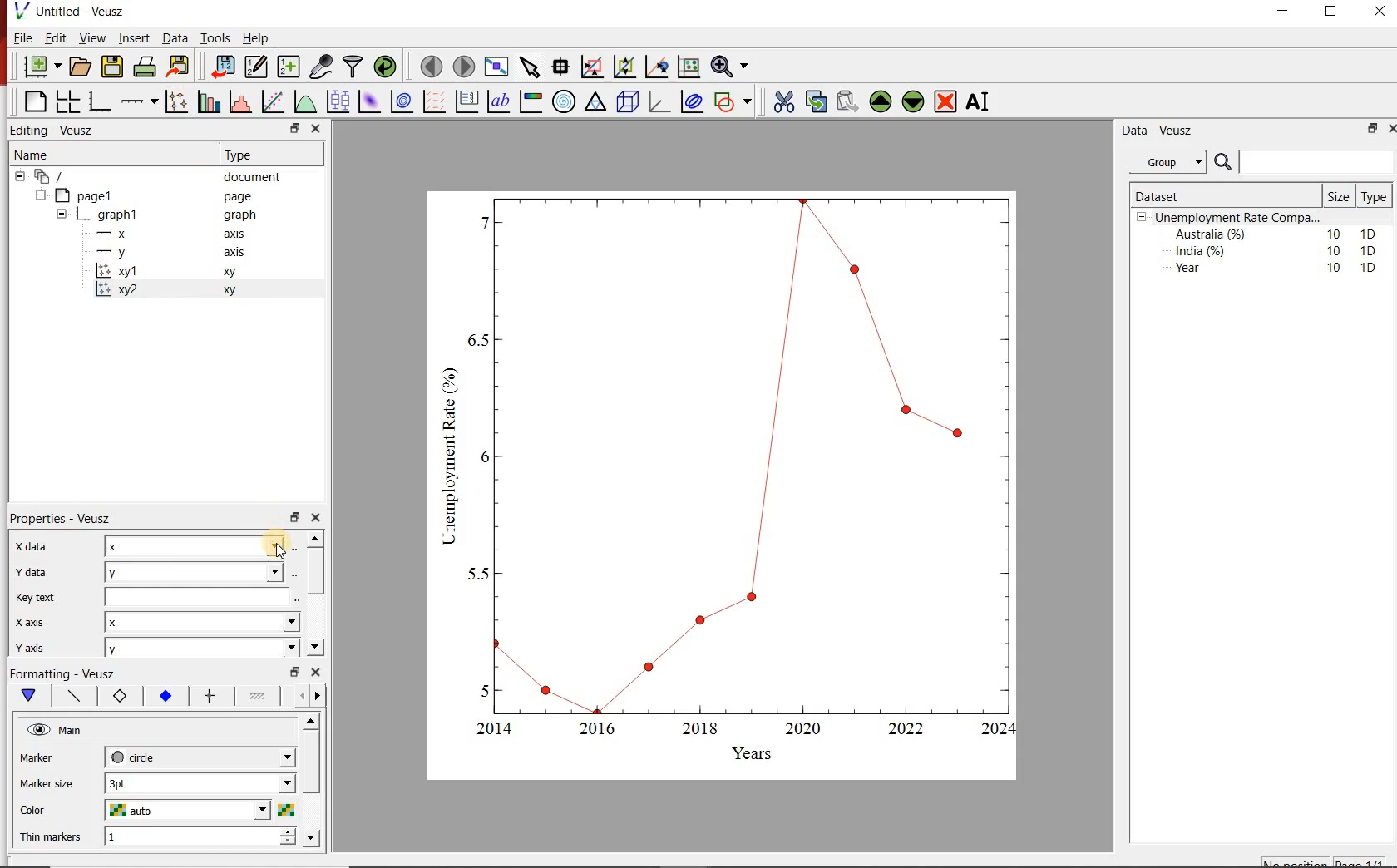 The height and width of the screenshot is (868, 1397). I want to click on histograms, so click(239, 101).